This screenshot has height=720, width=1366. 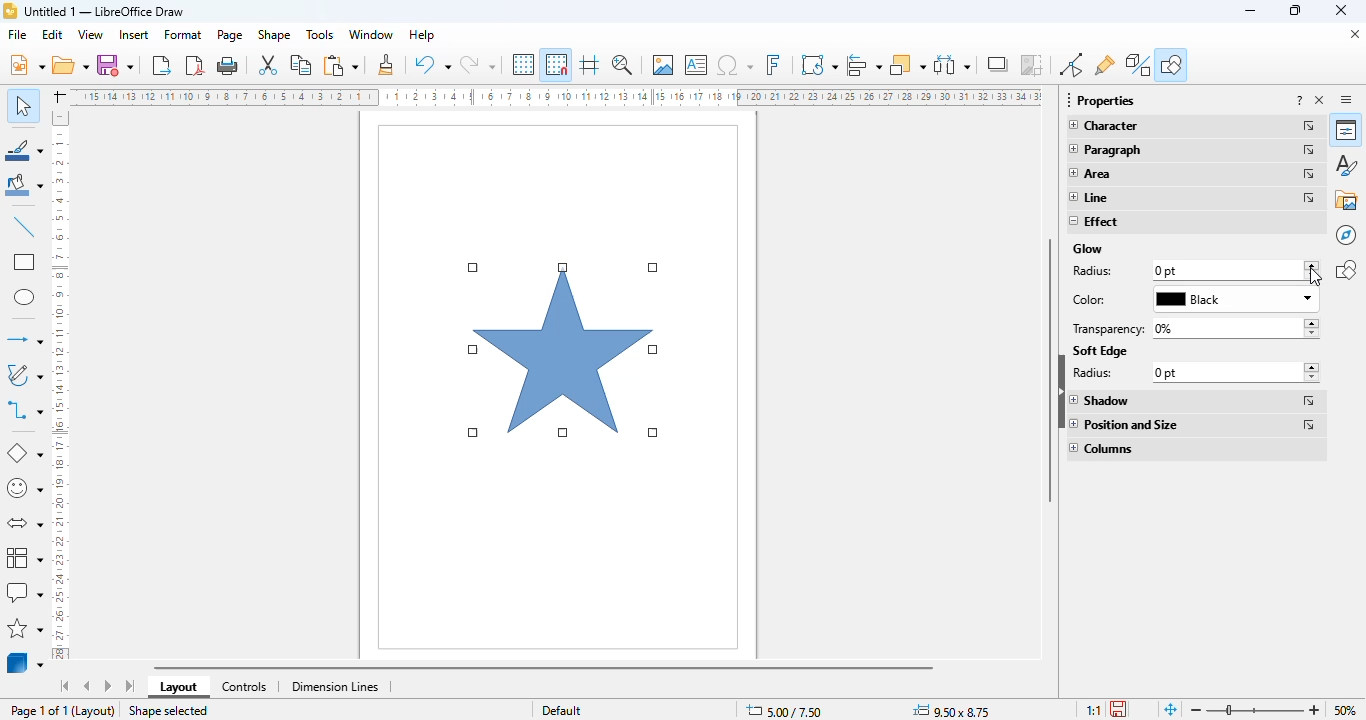 What do you see at coordinates (24, 228) in the screenshot?
I see `insert line` at bounding box center [24, 228].